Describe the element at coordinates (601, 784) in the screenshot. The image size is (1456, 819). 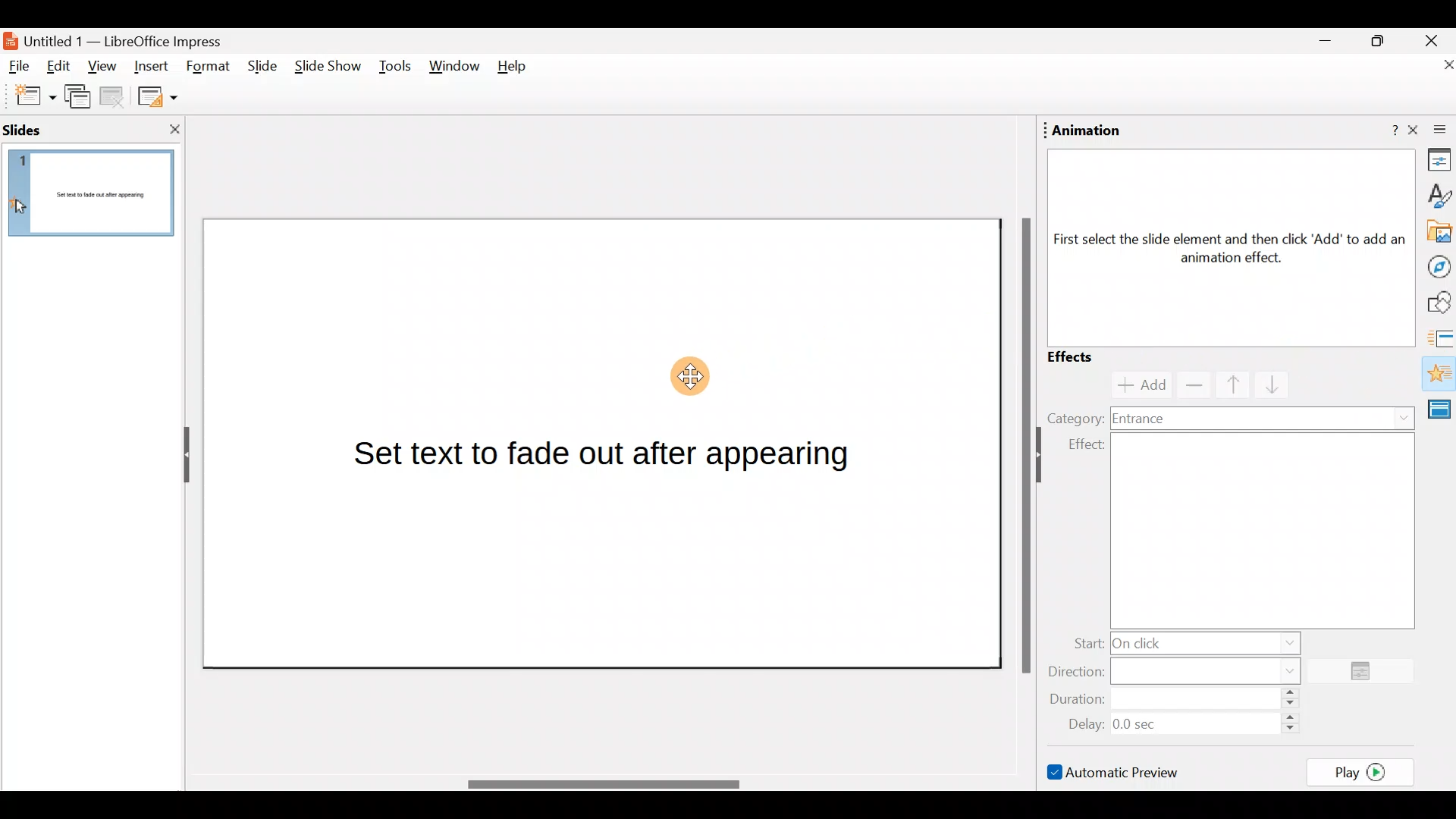
I see `Scroll bar` at that location.